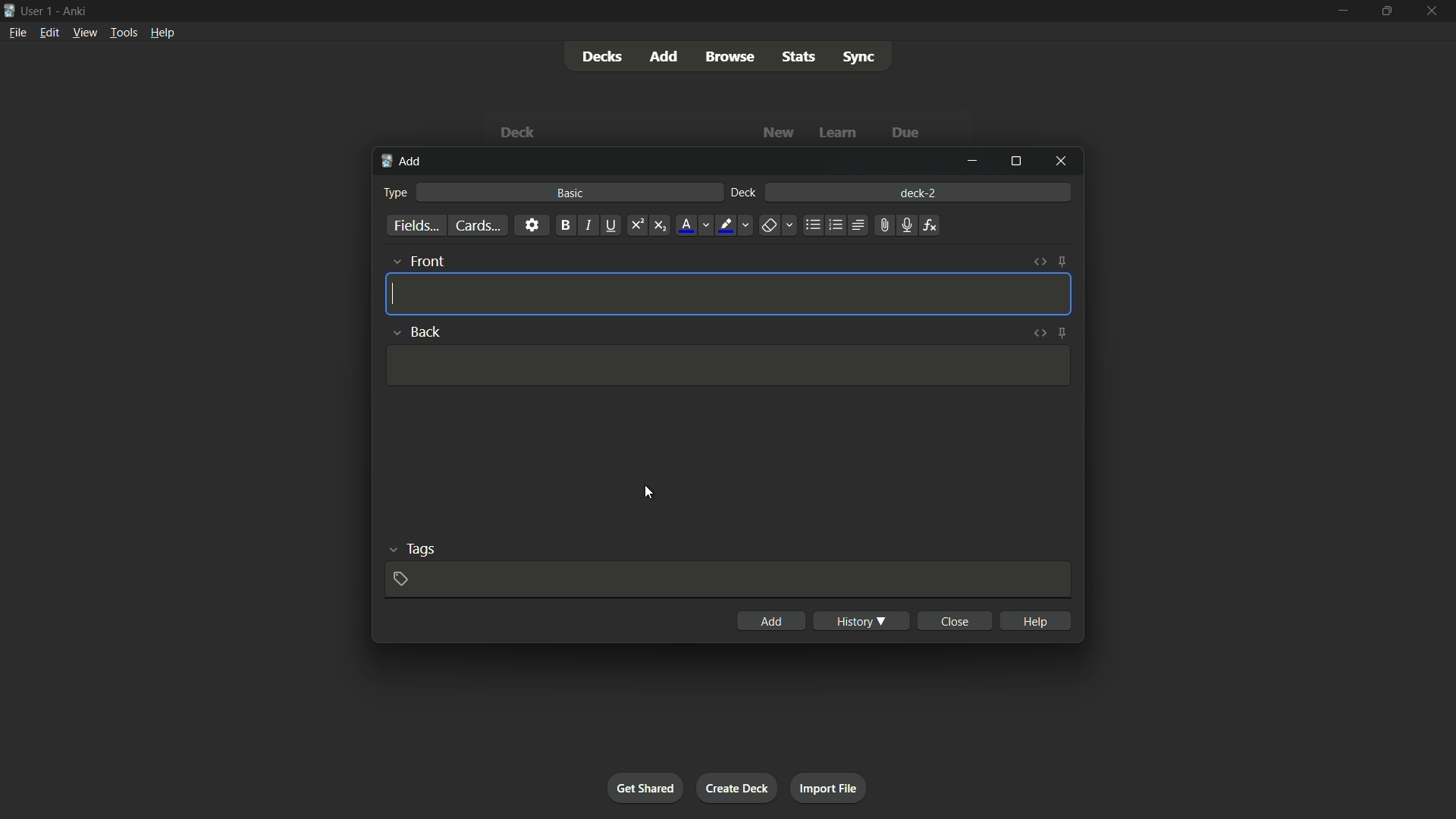  I want to click on alignment, so click(859, 224).